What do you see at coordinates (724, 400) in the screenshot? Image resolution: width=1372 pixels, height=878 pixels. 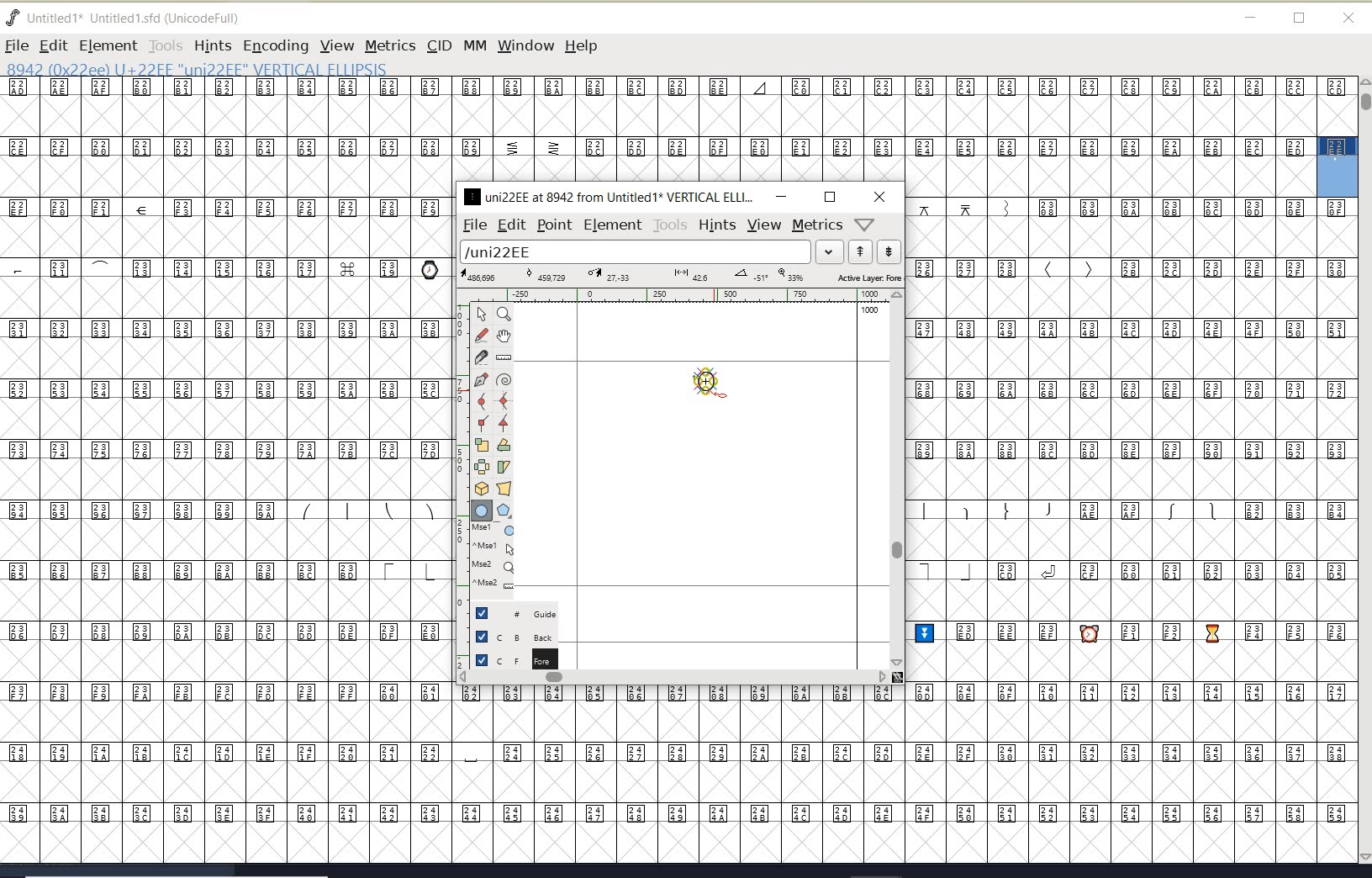 I see `rectangle or ellipse/cursor position` at bounding box center [724, 400].